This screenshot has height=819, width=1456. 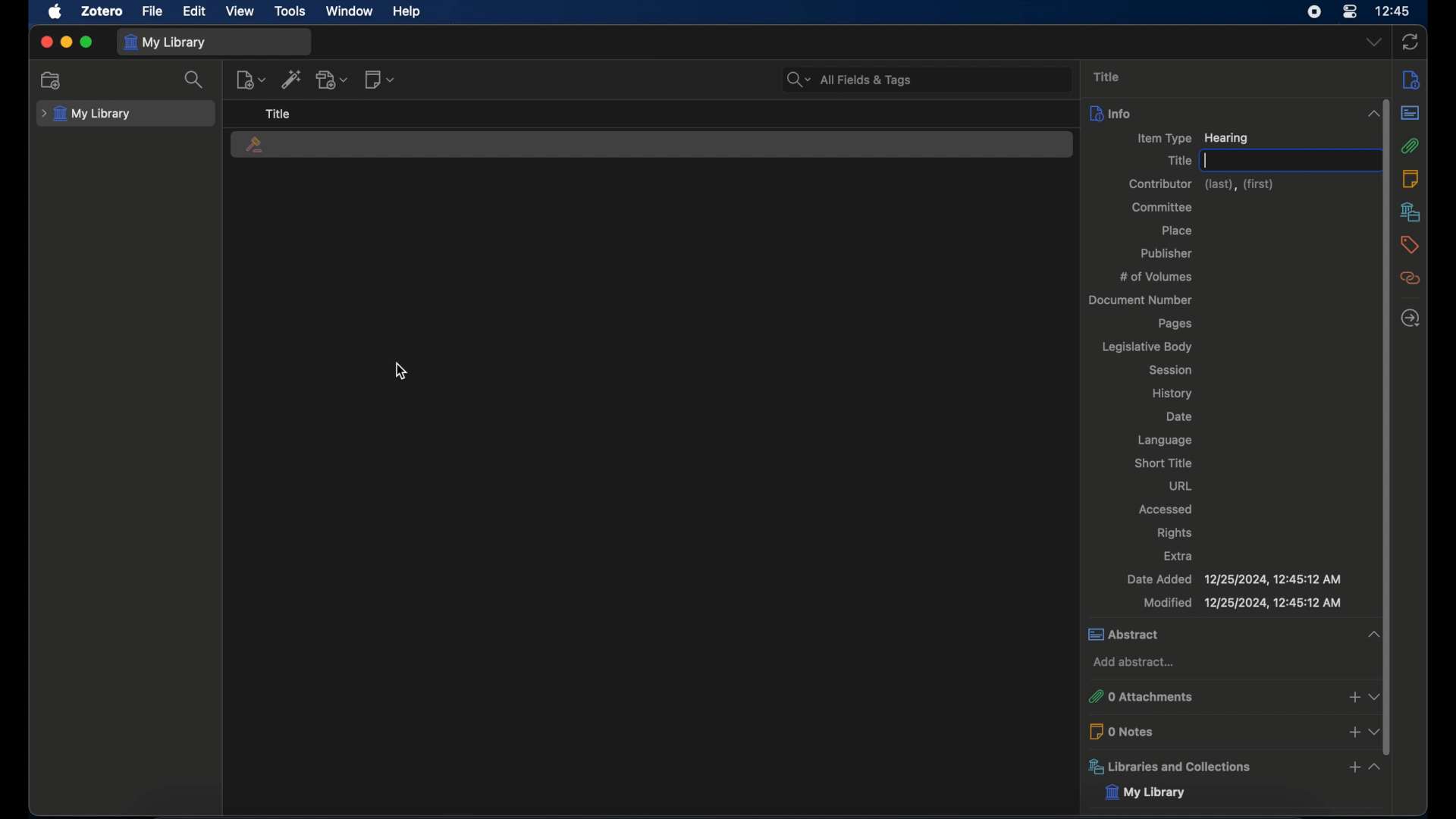 What do you see at coordinates (1166, 510) in the screenshot?
I see `accessed` at bounding box center [1166, 510].